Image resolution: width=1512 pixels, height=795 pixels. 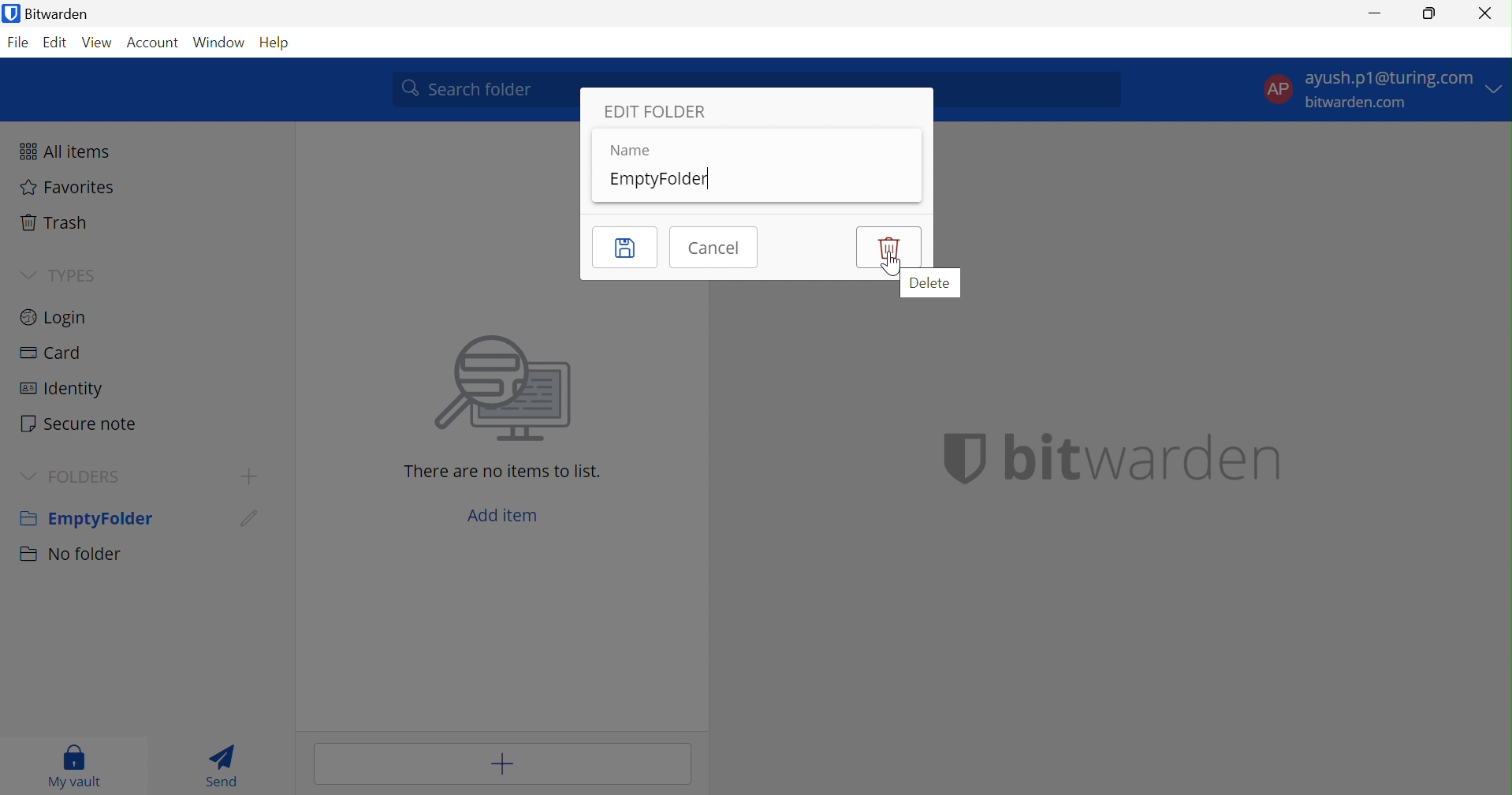 What do you see at coordinates (626, 247) in the screenshot?
I see `Edit` at bounding box center [626, 247].